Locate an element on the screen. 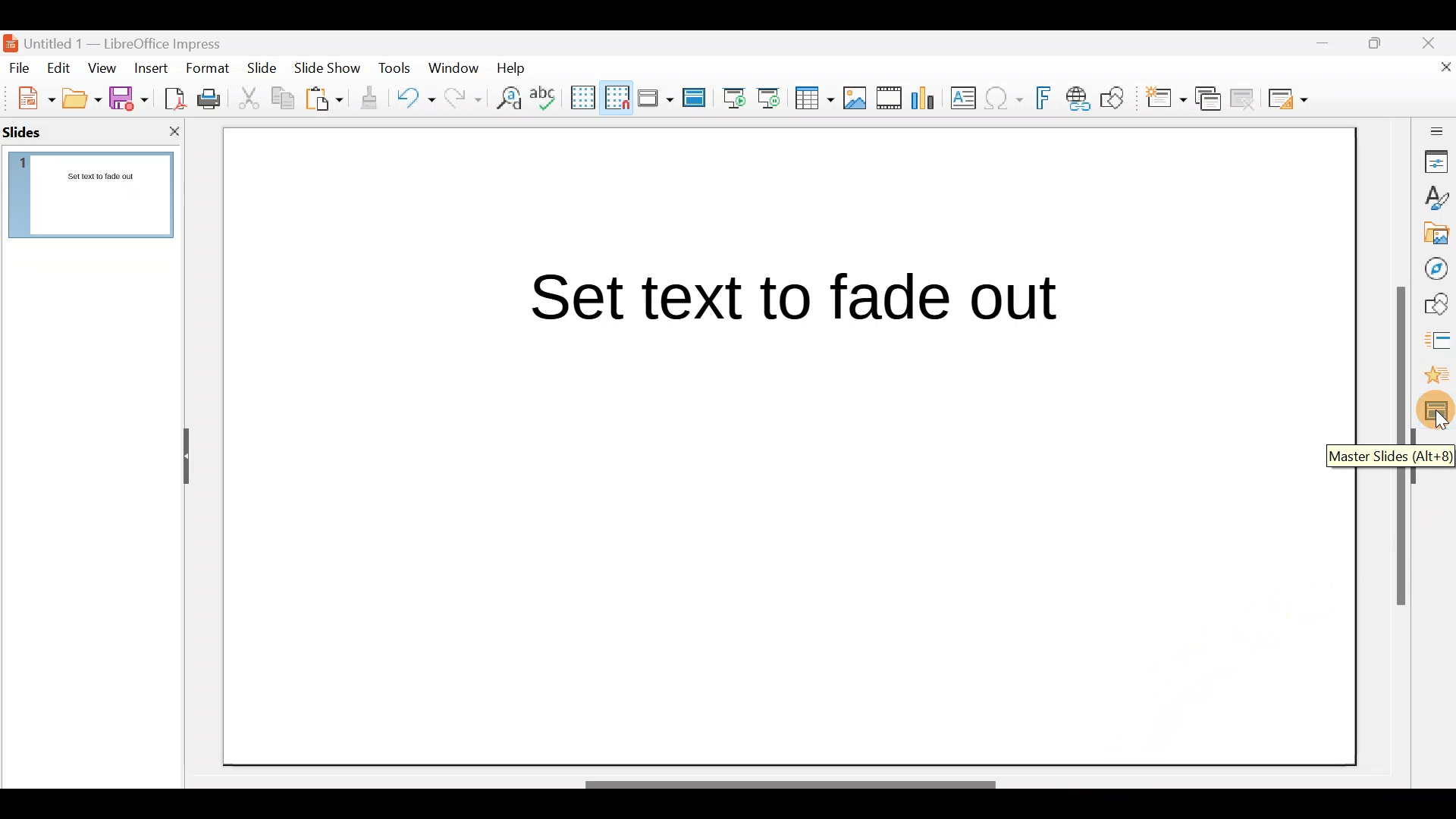  Sidebar settings is located at coordinates (1434, 130).